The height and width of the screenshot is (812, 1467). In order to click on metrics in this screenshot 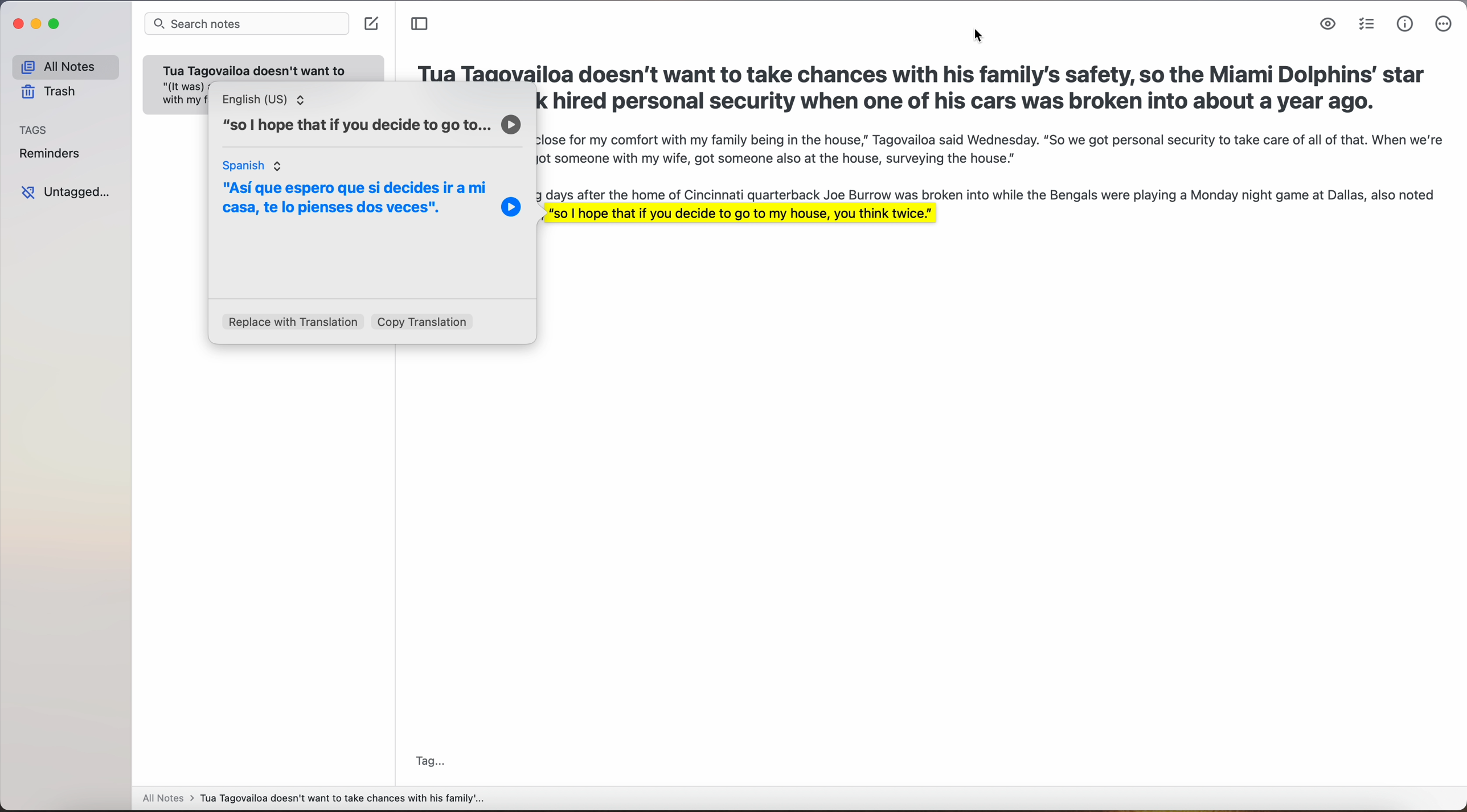, I will do `click(1404, 24)`.